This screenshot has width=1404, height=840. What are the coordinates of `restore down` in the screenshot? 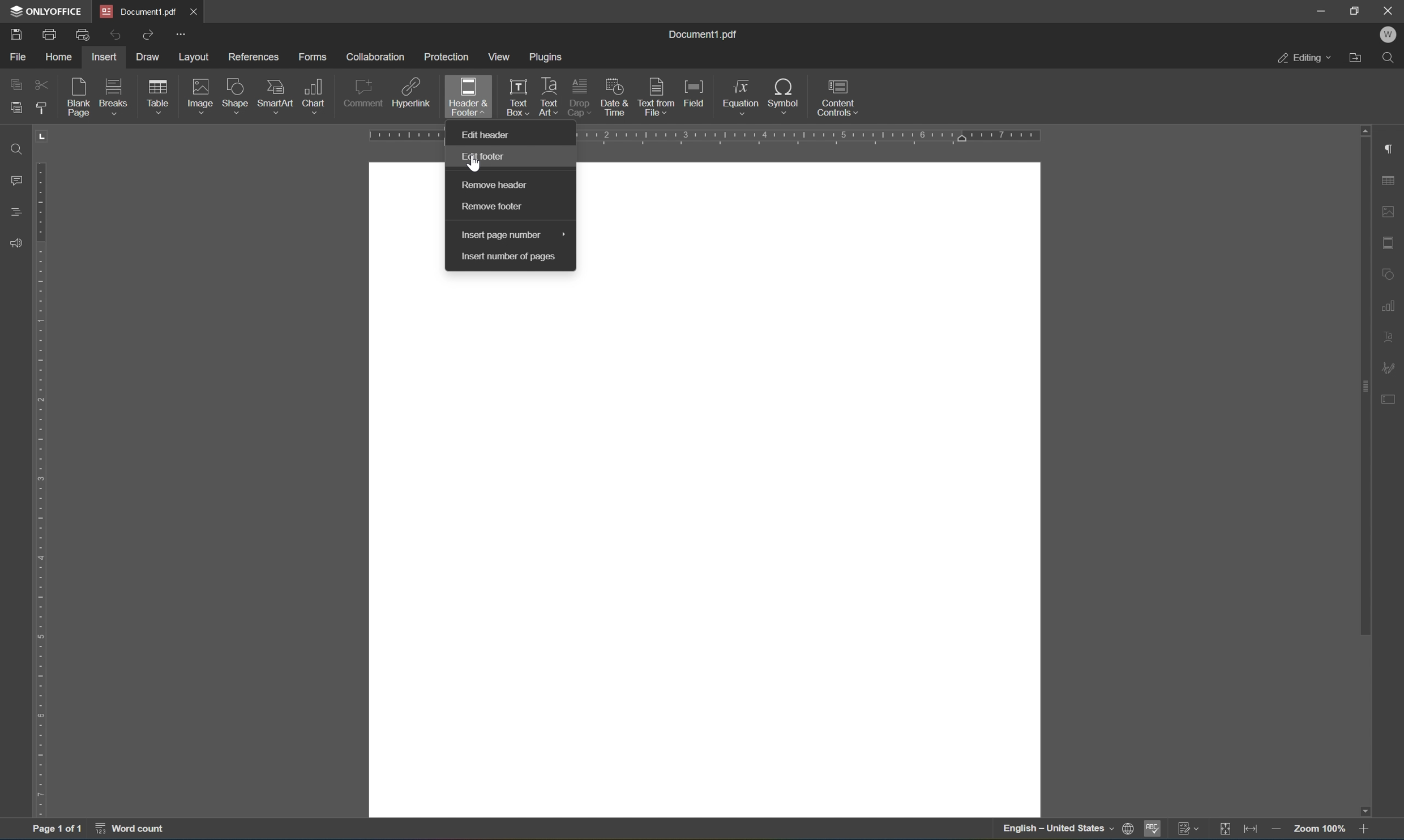 It's located at (1358, 11).